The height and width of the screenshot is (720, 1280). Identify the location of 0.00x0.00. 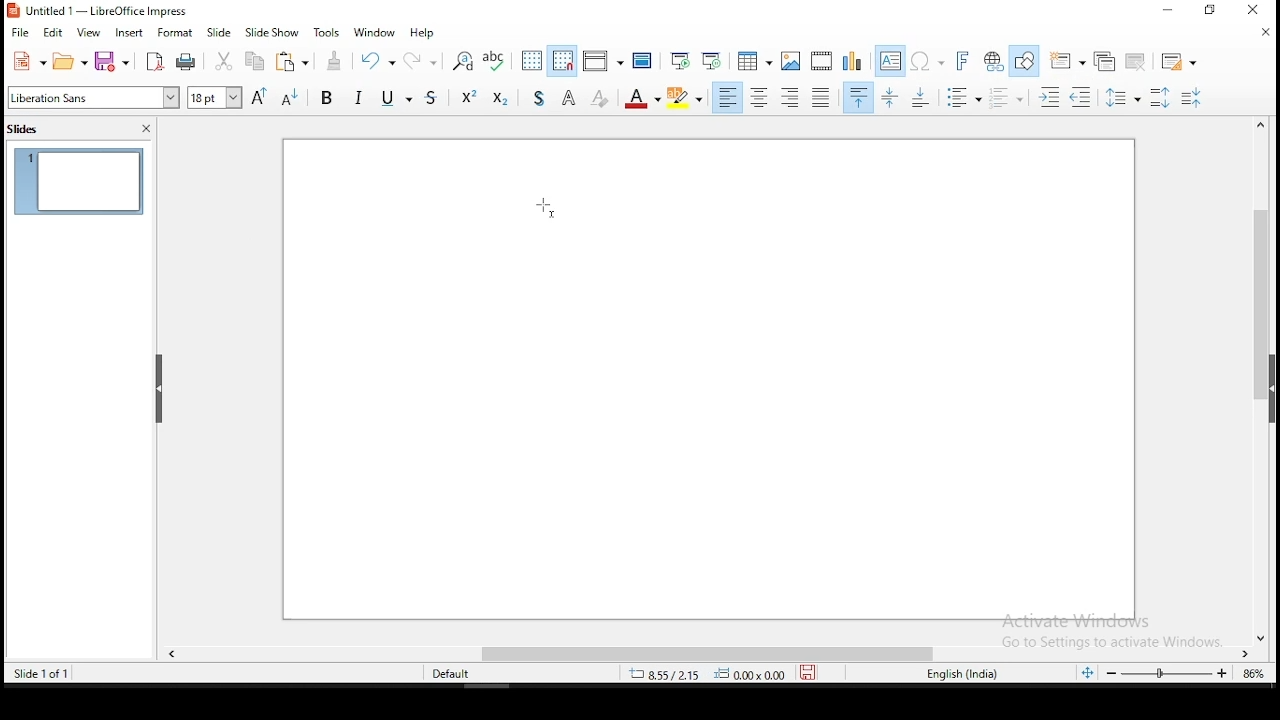
(749, 674).